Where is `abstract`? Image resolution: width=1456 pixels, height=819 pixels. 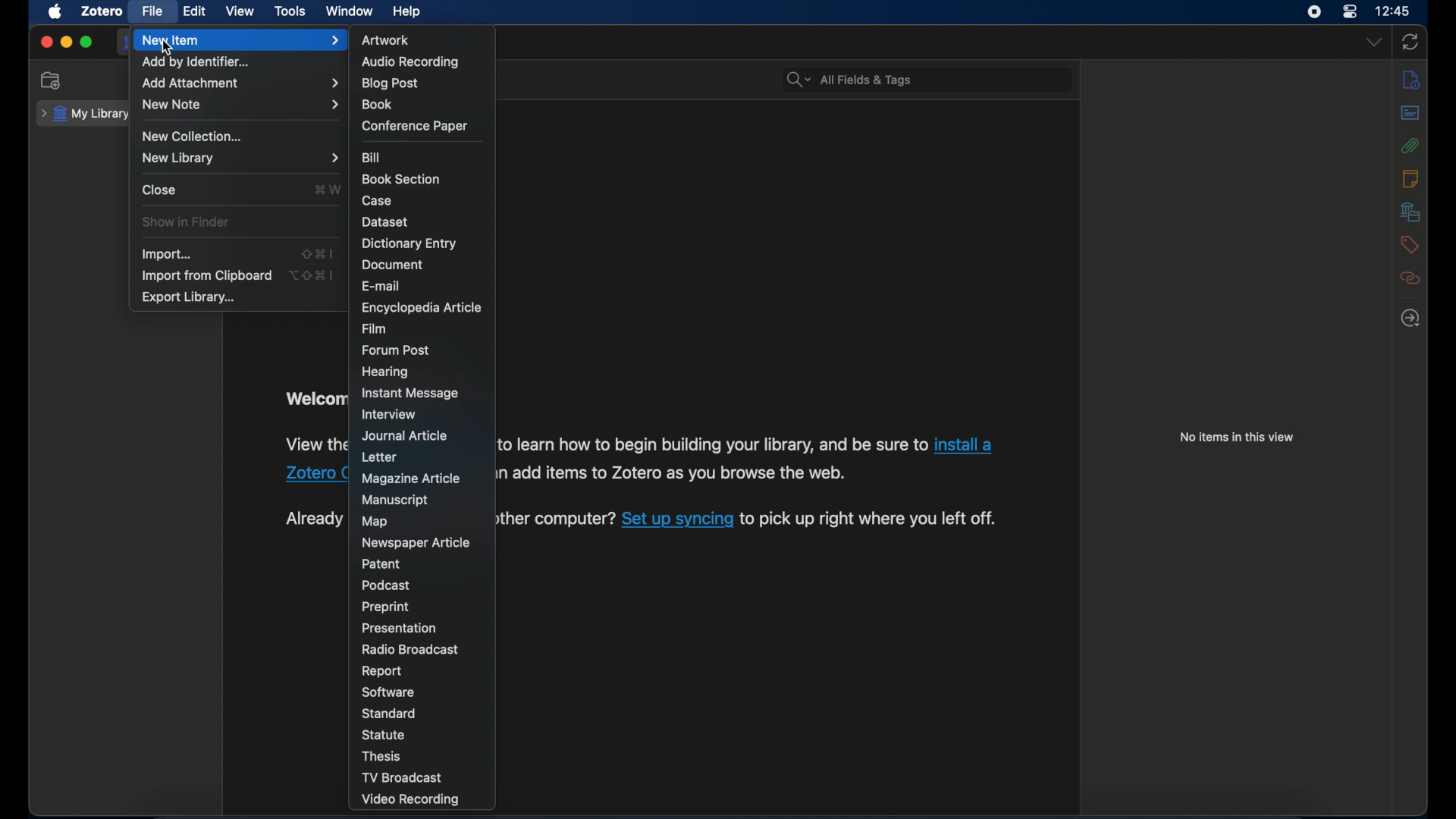 abstract is located at coordinates (1411, 112).